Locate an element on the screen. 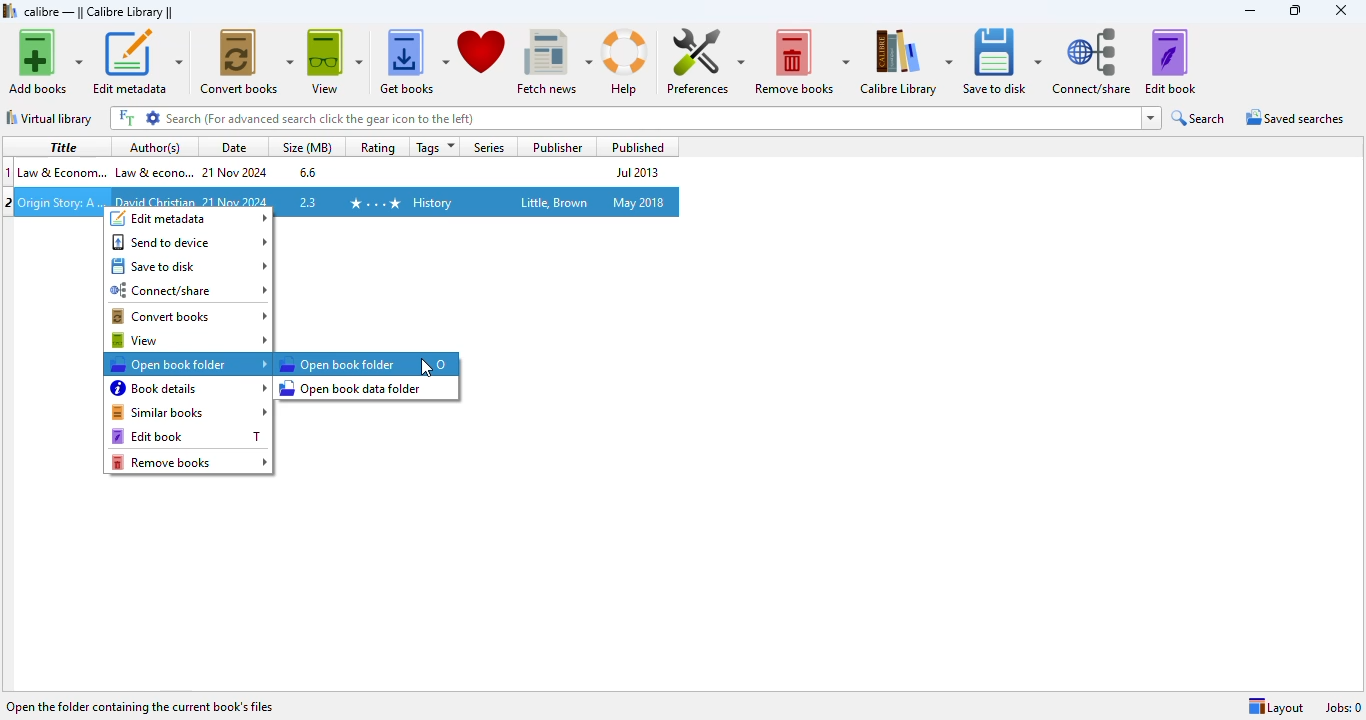 This screenshot has height=720, width=1366. preferences is located at coordinates (704, 61).